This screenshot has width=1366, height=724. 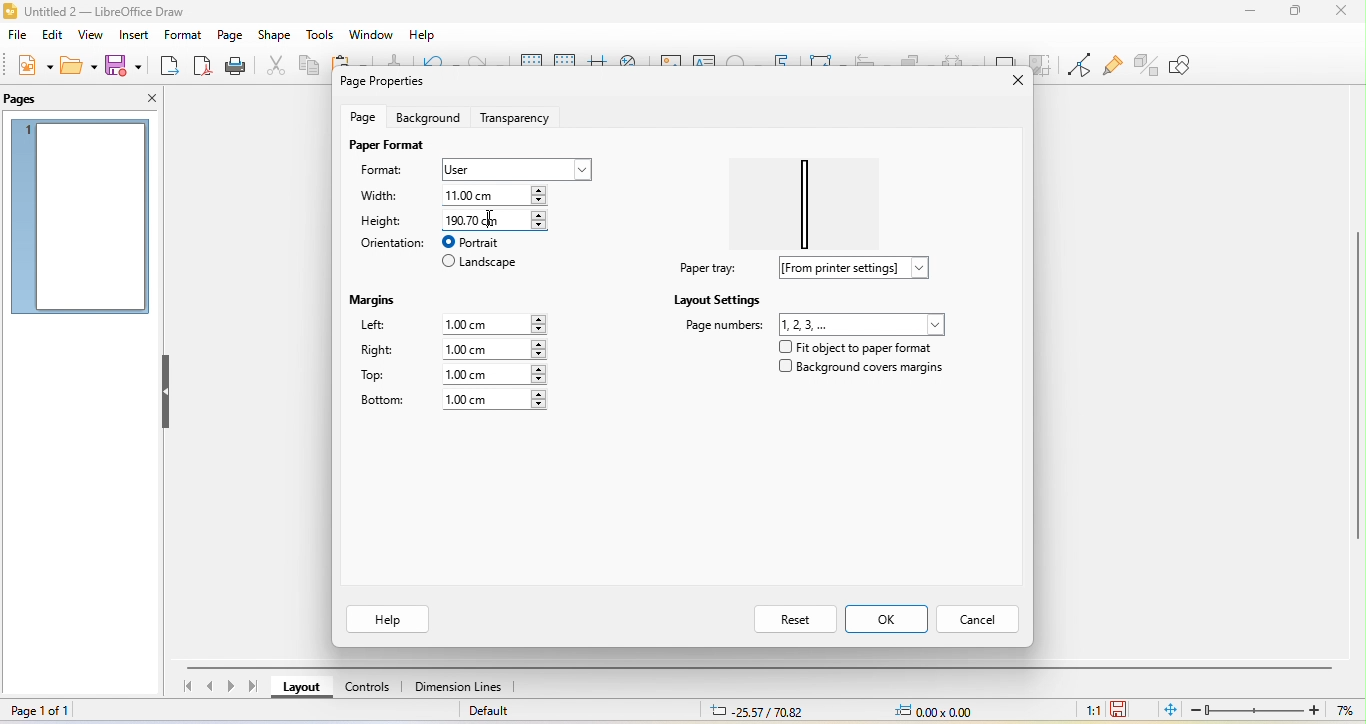 What do you see at coordinates (202, 66) in the screenshot?
I see `export directly as pdf` at bounding box center [202, 66].